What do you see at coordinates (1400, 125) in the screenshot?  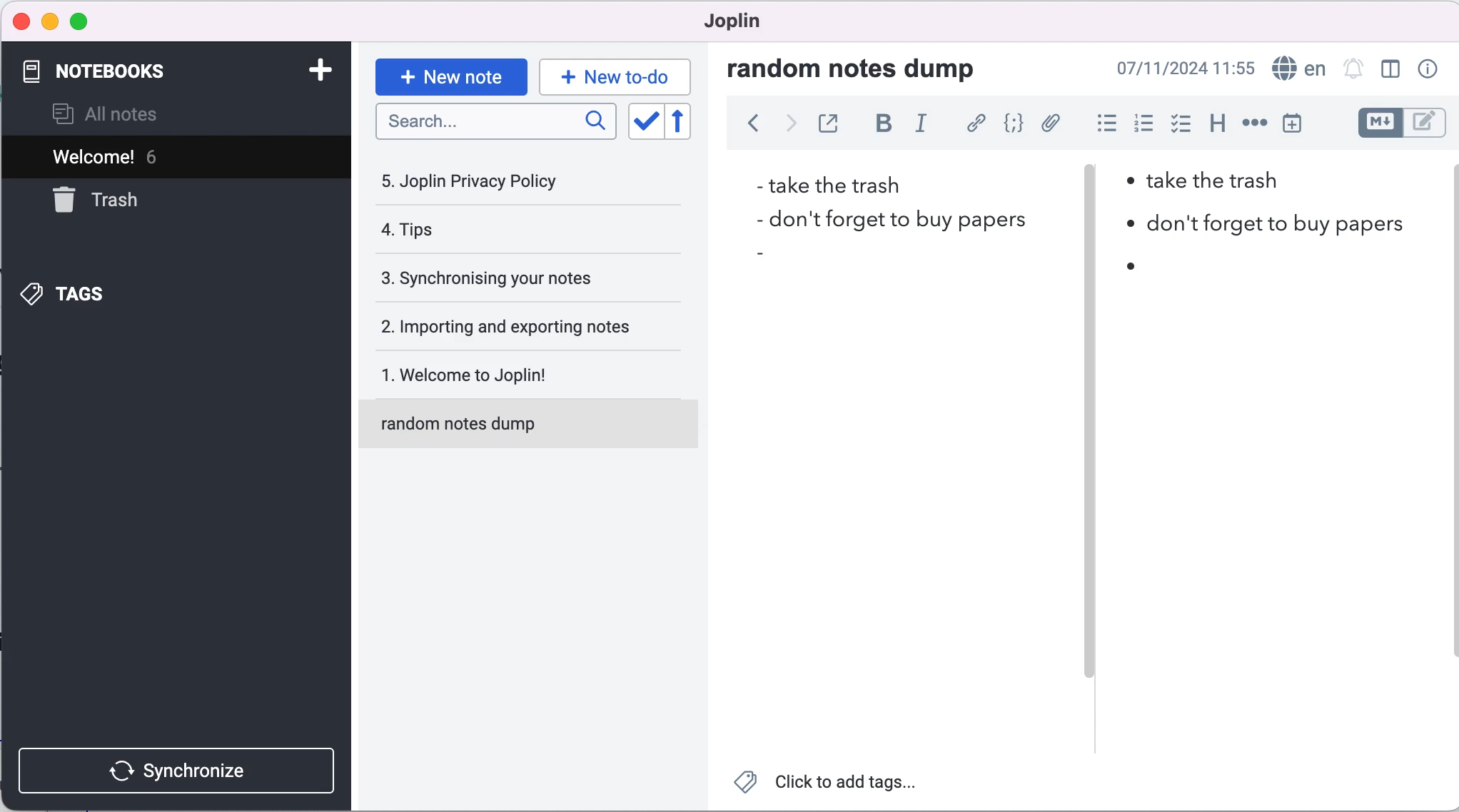 I see `toggle editors` at bounding box center [1400, 125].